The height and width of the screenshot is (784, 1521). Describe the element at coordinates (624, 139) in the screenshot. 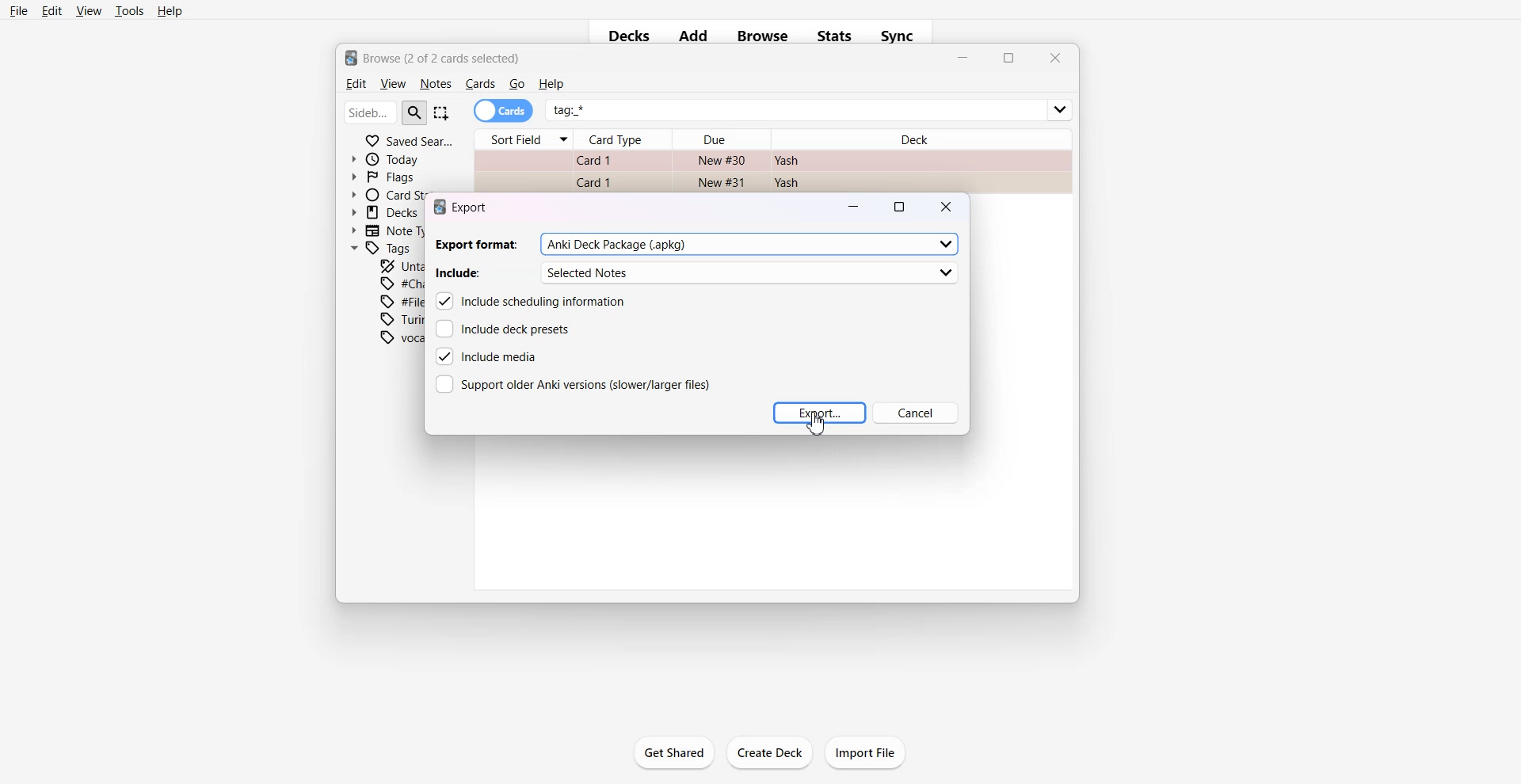

I see `Card Type` at that location.